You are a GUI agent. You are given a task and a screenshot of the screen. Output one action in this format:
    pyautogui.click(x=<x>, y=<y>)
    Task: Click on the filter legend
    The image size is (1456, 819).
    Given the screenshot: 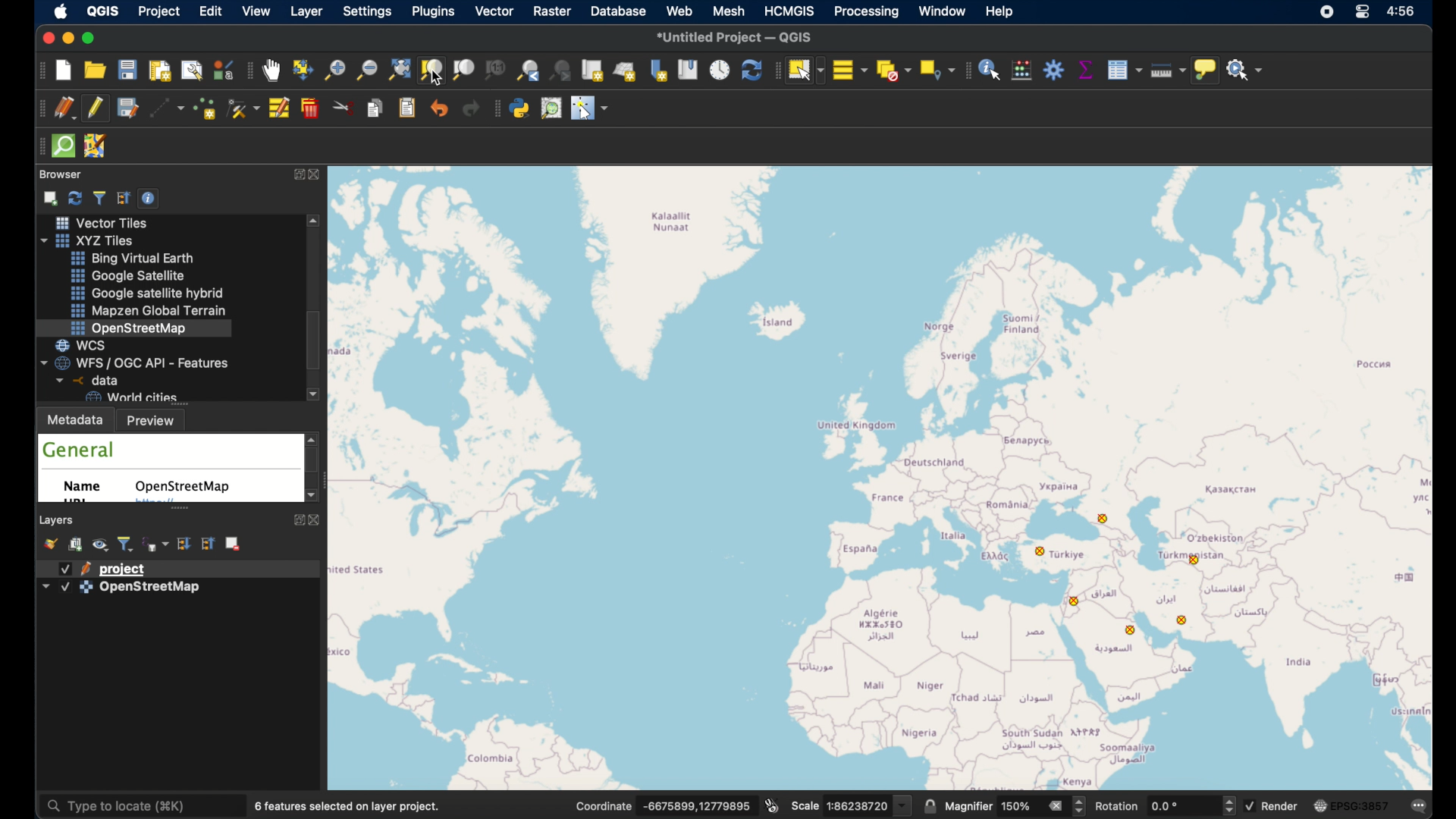 What is the action you would take?
    pyautogui.click(x=127, y=544)
    